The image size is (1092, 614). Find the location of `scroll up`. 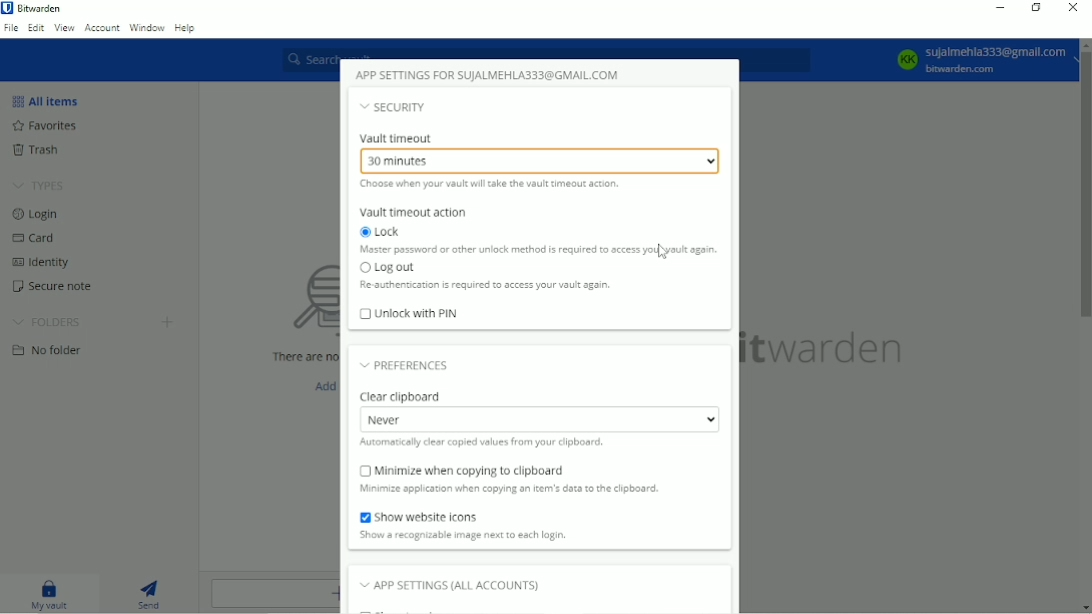

scroll up is located at coordinates (1084, 44).